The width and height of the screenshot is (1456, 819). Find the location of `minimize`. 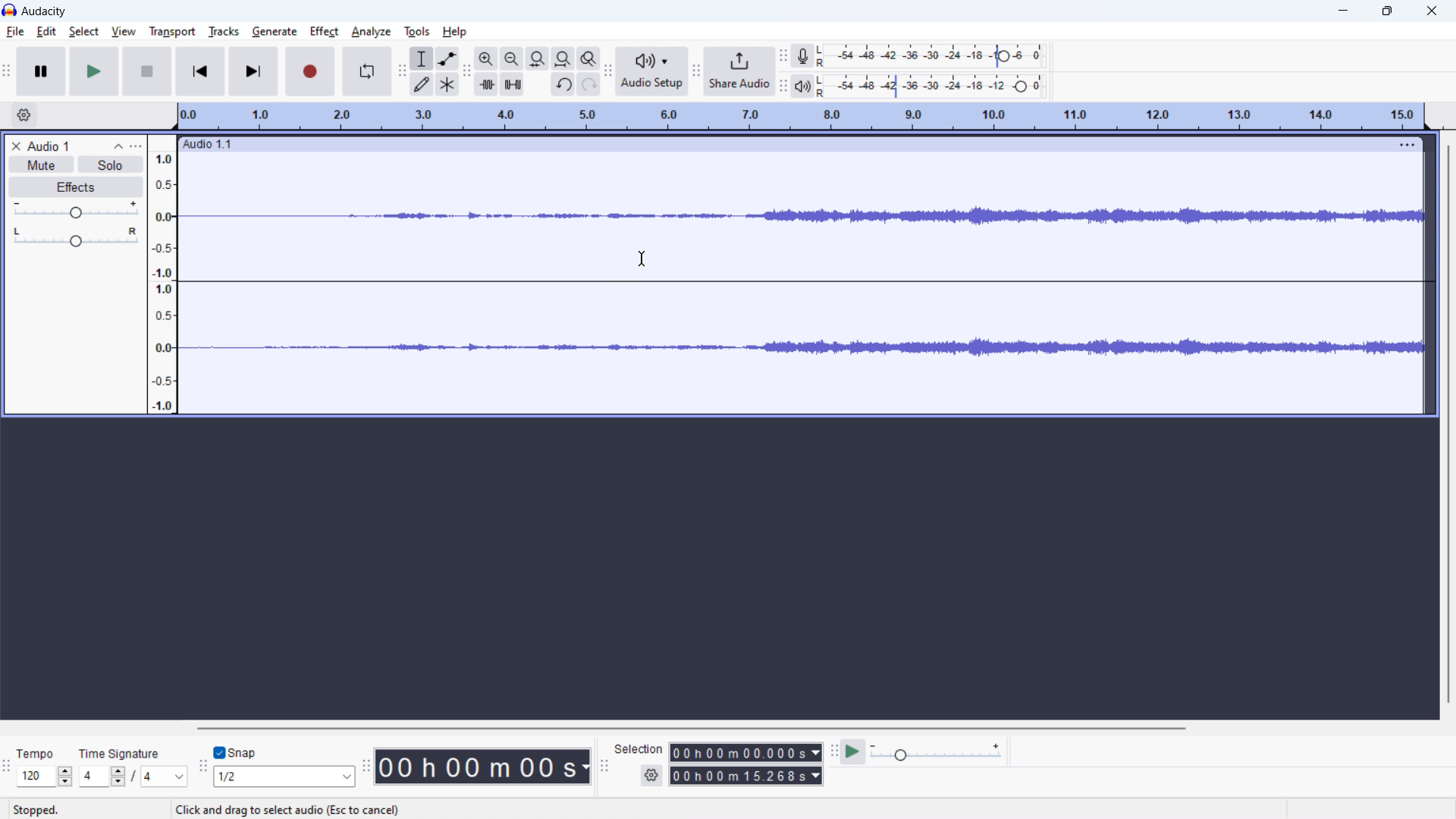

minimize is located at coordinates (1344, 10).